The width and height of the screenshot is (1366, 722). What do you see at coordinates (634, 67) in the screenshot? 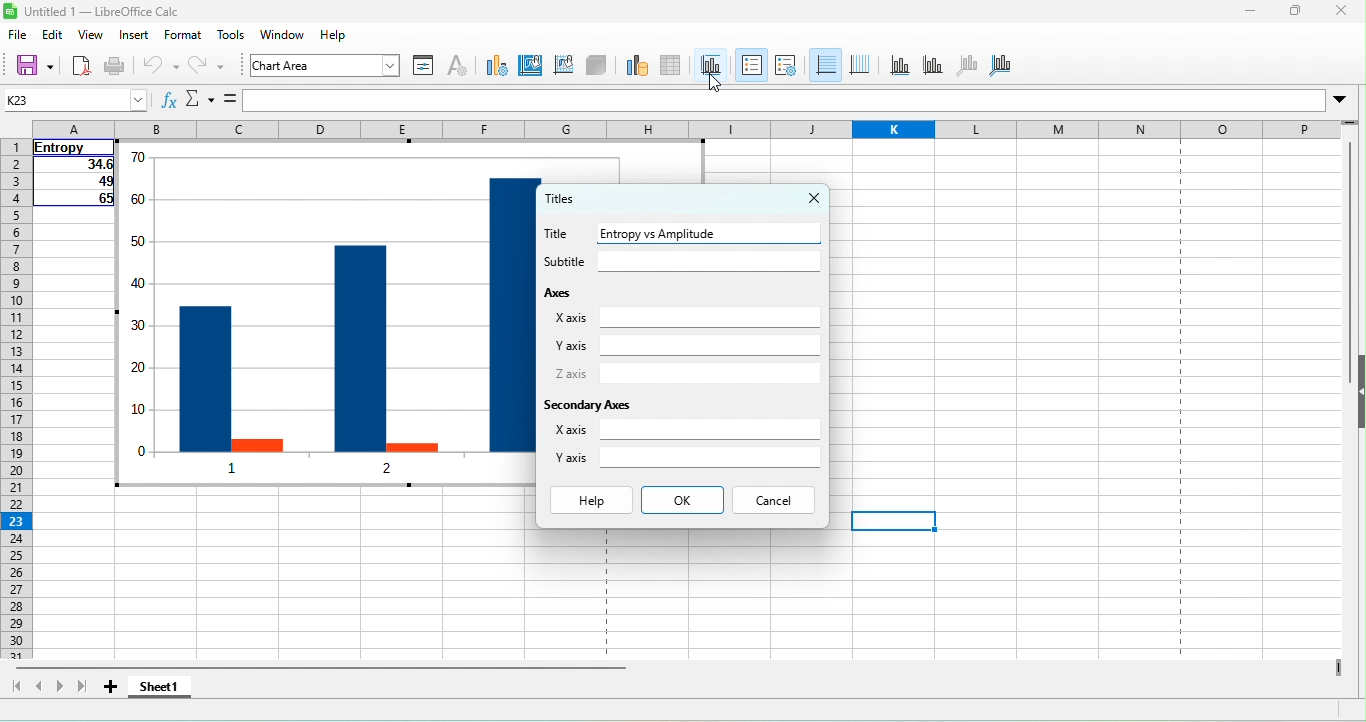
I see `data range` at bounding box center [634, 67].